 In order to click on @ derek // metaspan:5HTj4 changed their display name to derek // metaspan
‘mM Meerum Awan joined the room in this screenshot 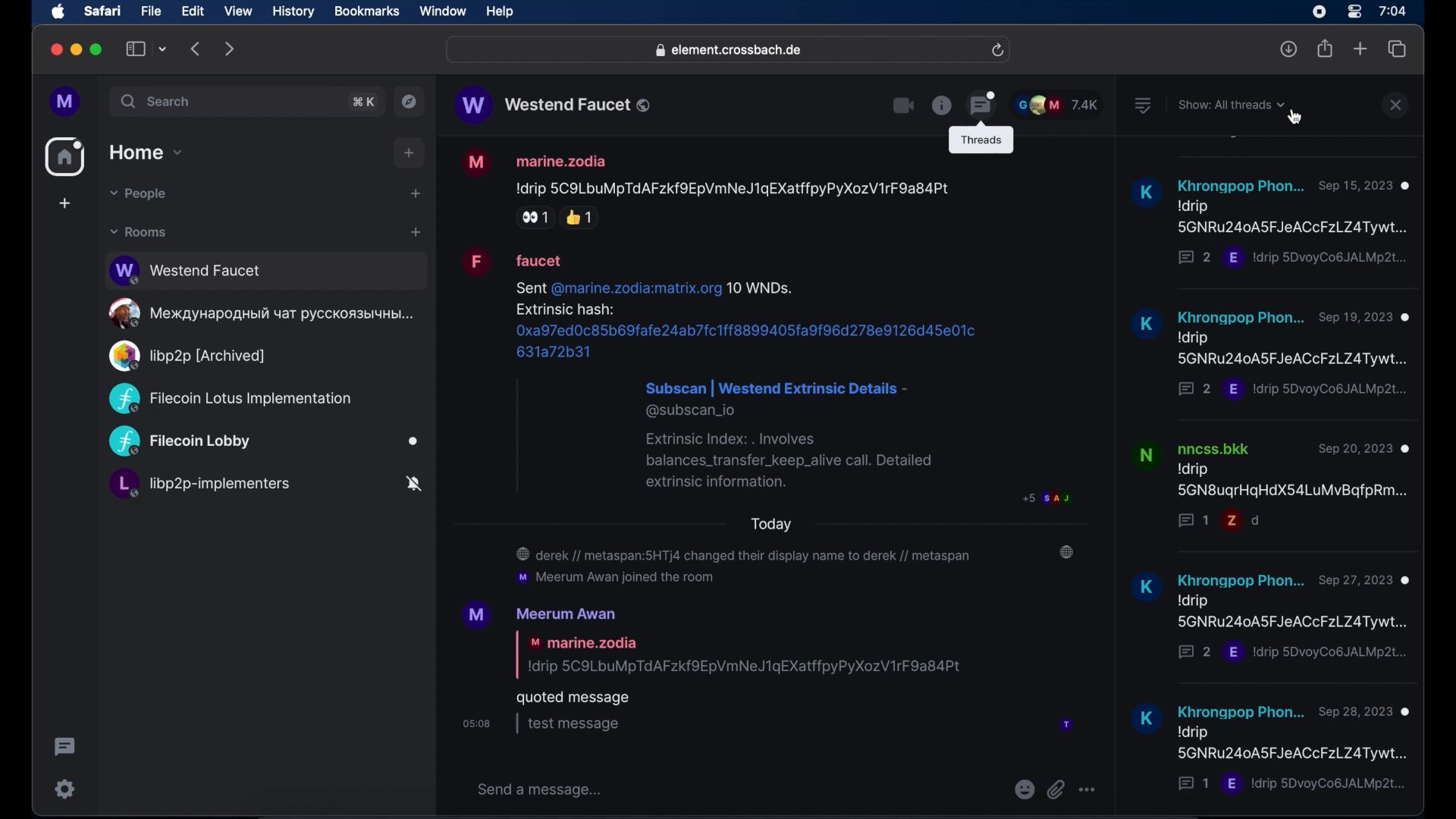, I will do `click(745, 563)`.